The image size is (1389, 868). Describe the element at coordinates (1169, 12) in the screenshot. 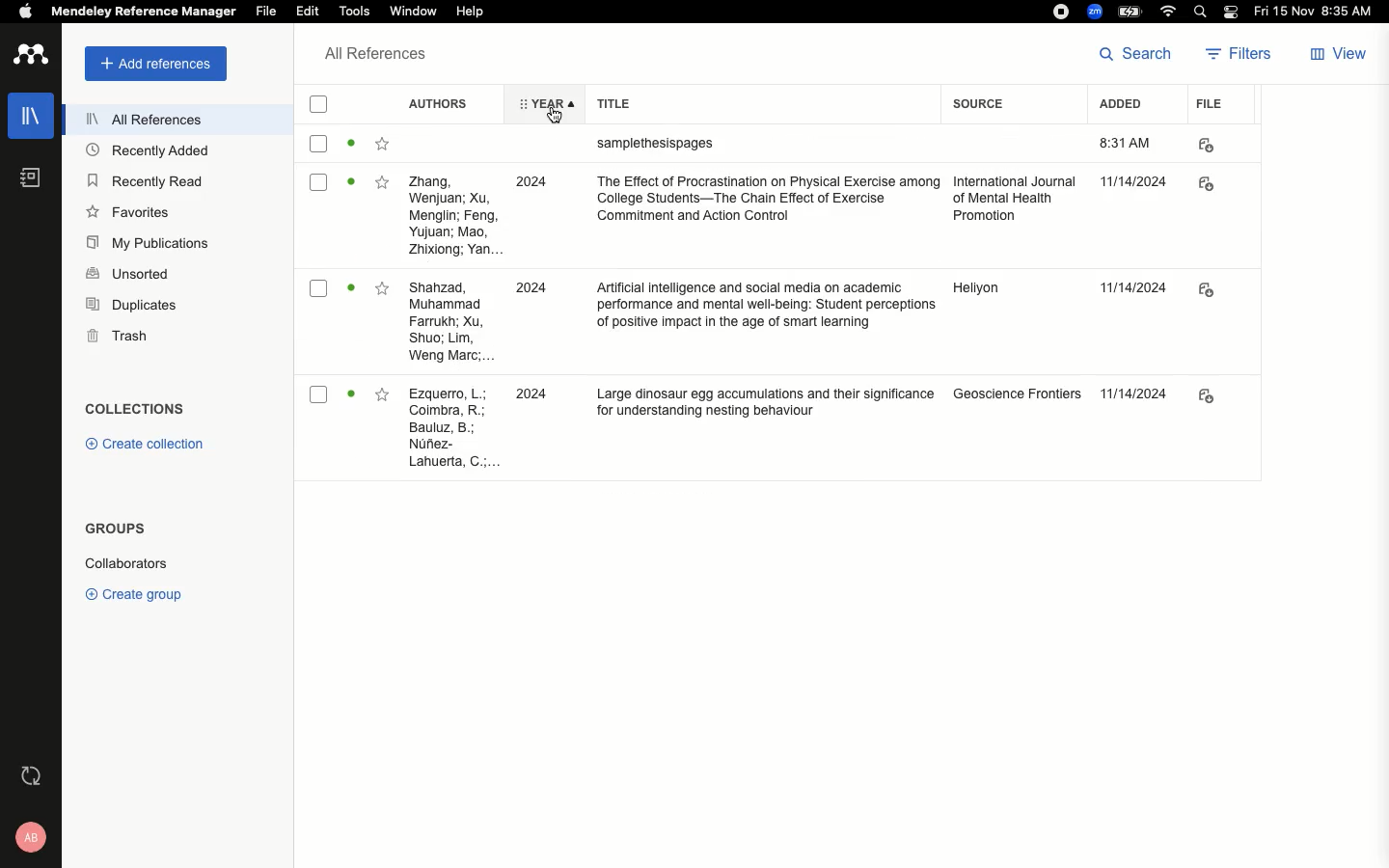

I see `Internet` at that location.